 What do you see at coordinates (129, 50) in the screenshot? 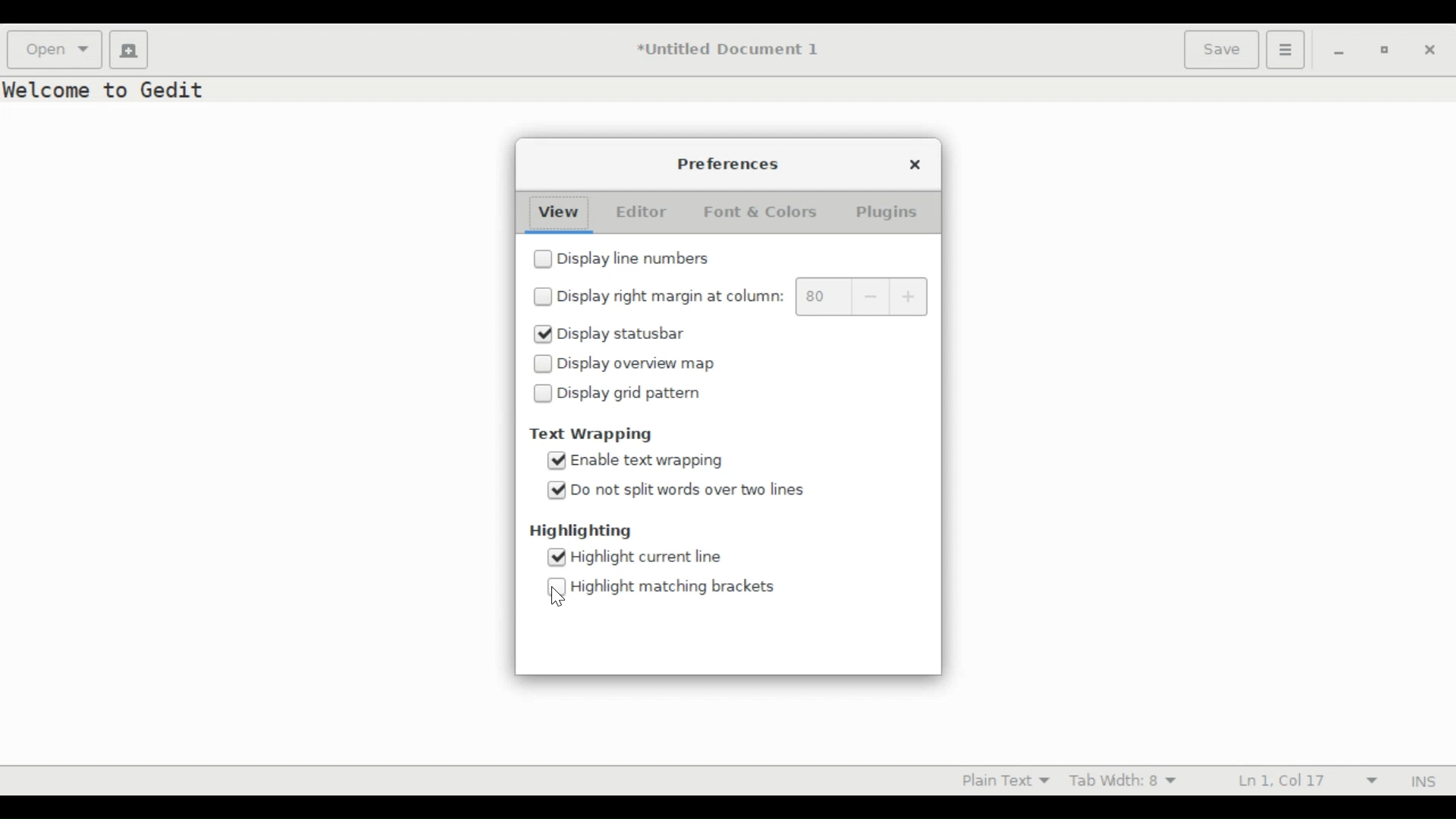
I see `Create a new document` at bounding box center [129, 50].